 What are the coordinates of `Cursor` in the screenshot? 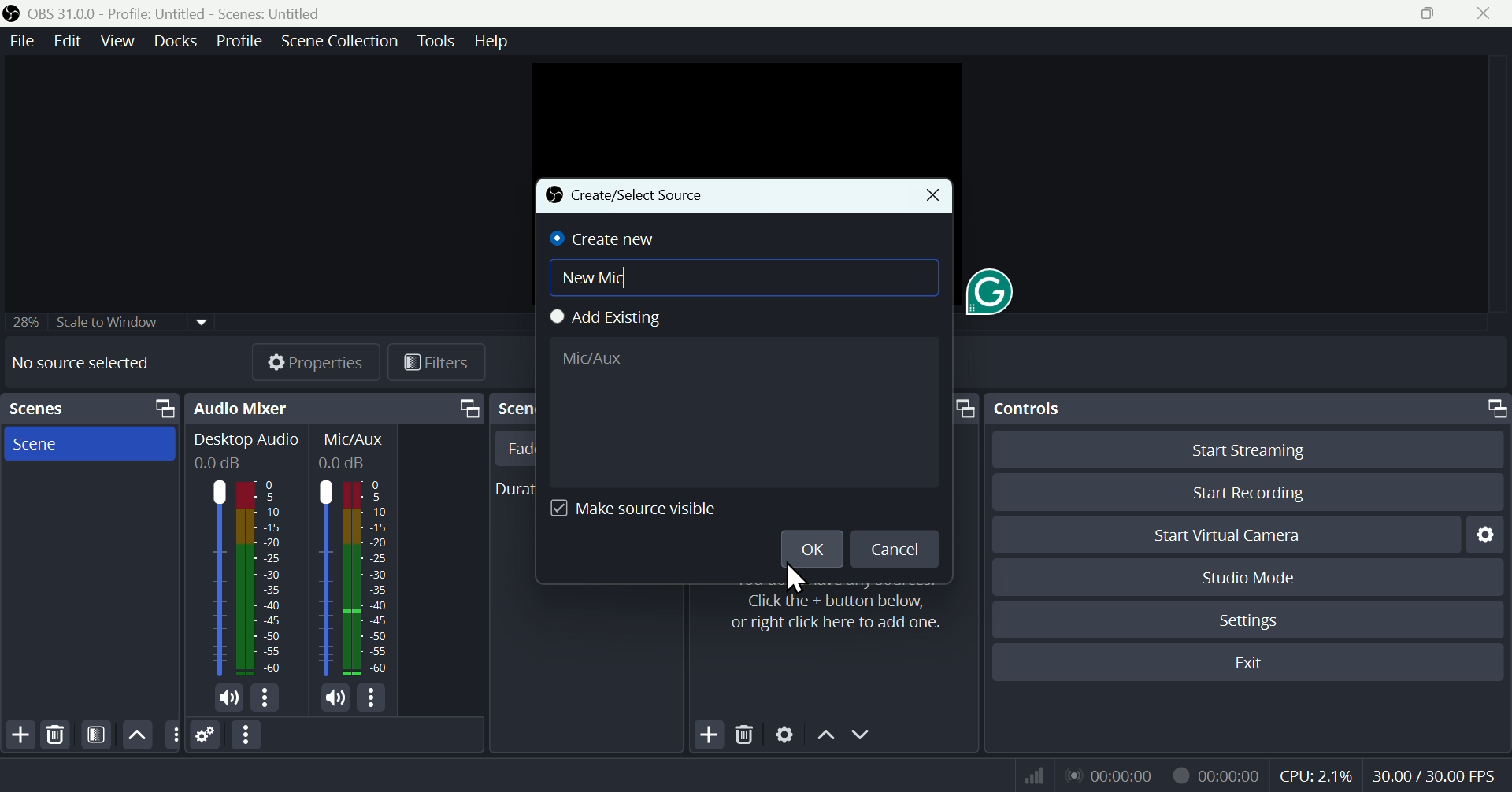 It's located at (796, 579).